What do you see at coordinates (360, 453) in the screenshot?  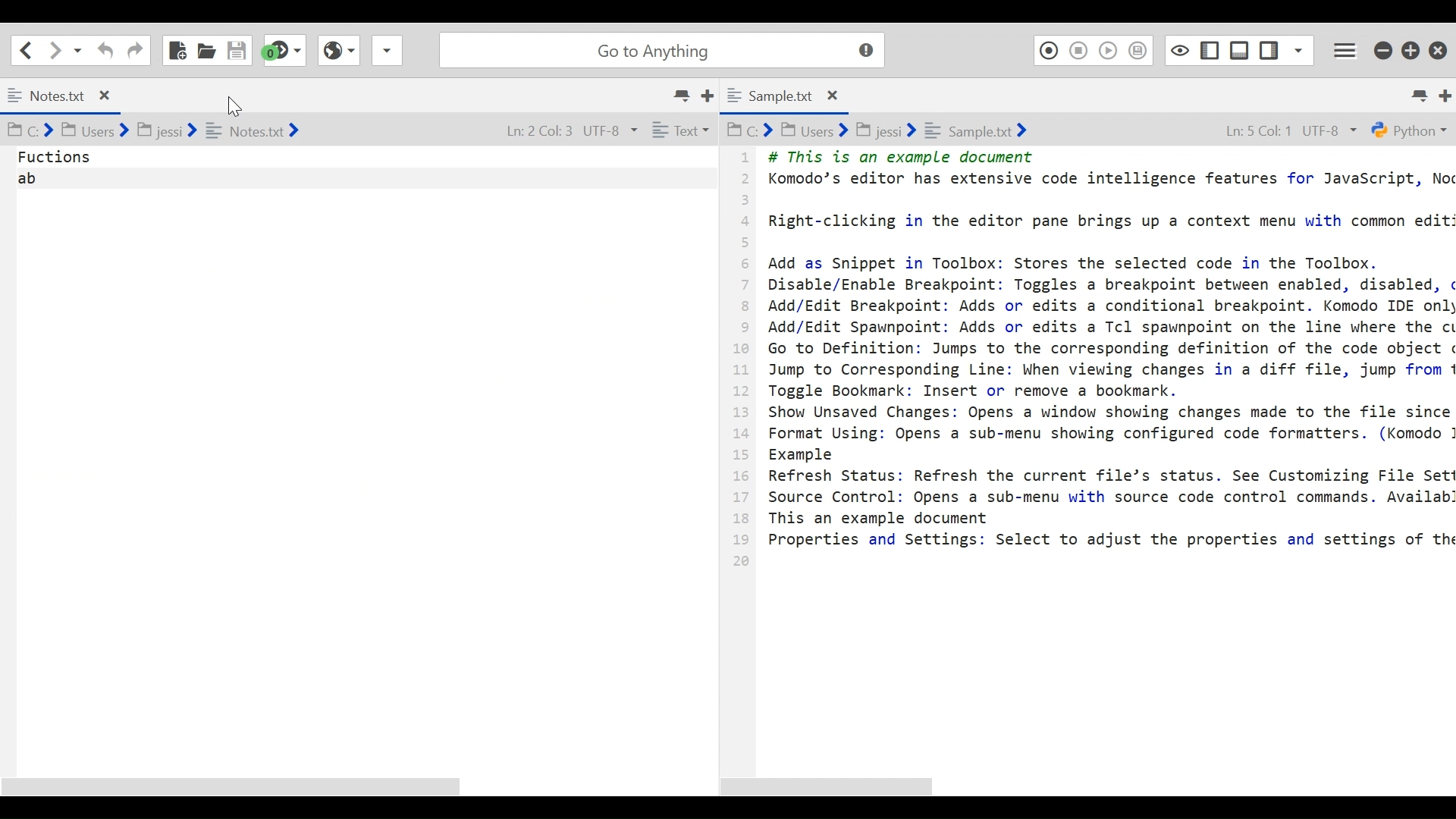 I see `Functions ab` at bounding box center [360, 453].